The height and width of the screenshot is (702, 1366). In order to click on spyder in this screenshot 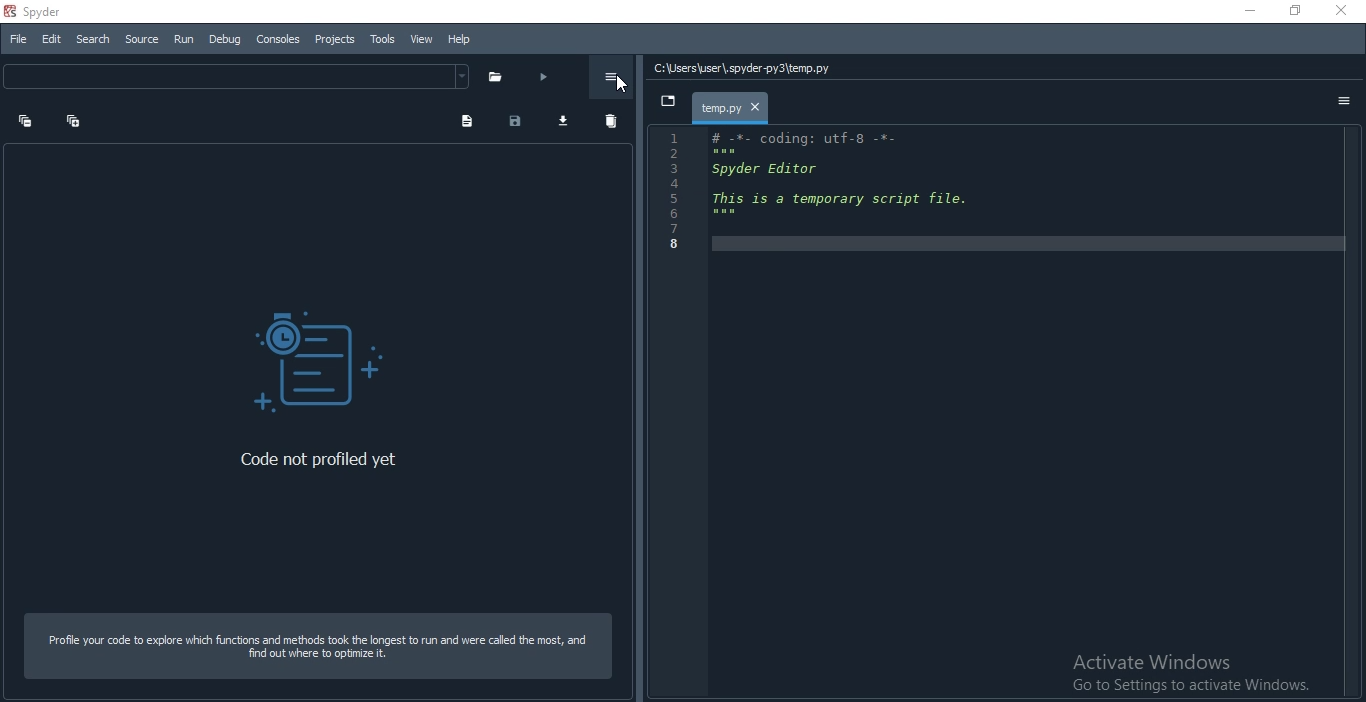, I will do `click(43, 11)`.